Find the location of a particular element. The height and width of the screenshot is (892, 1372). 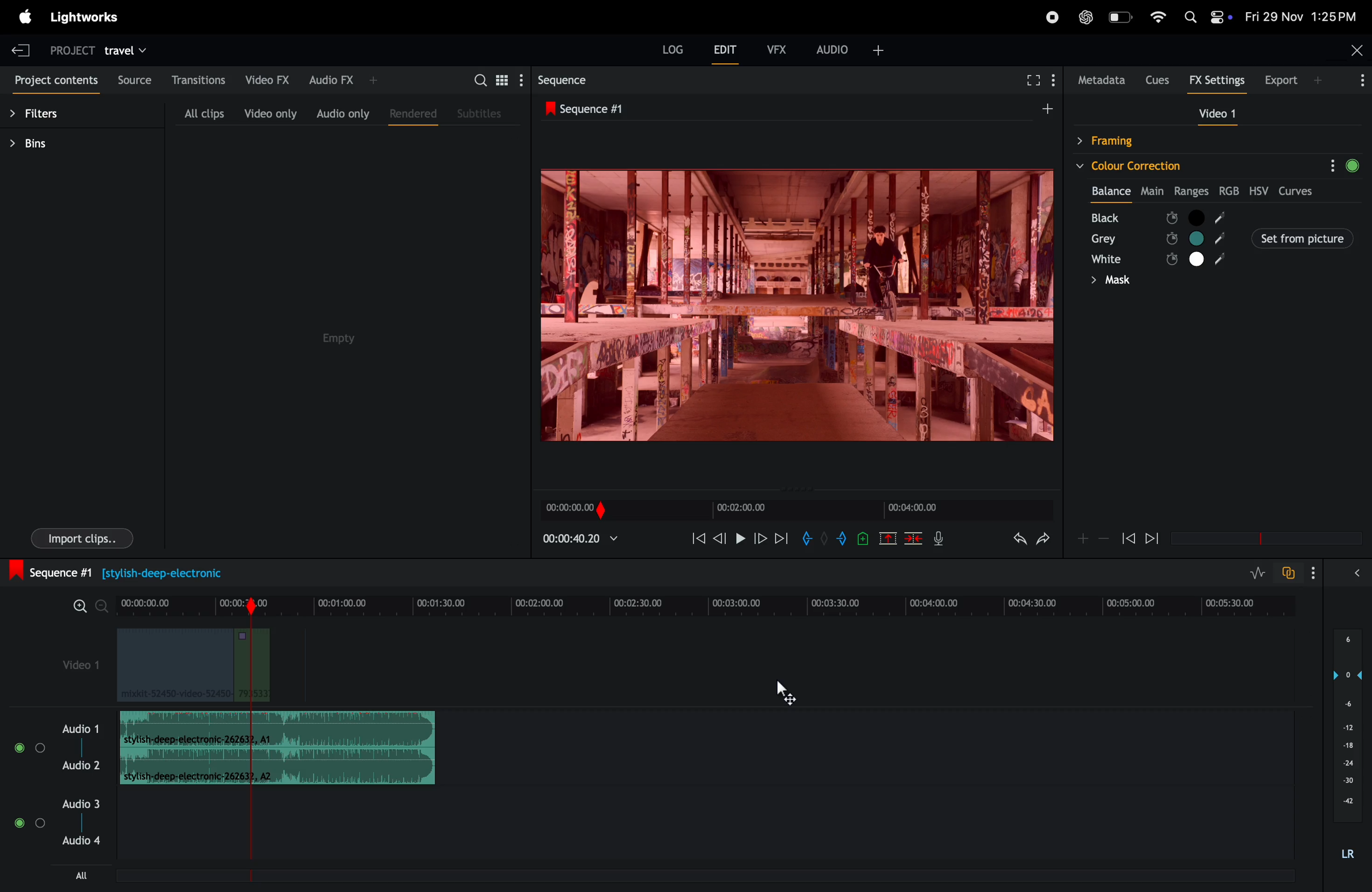

More Info is located at coordinates (1363, 84).